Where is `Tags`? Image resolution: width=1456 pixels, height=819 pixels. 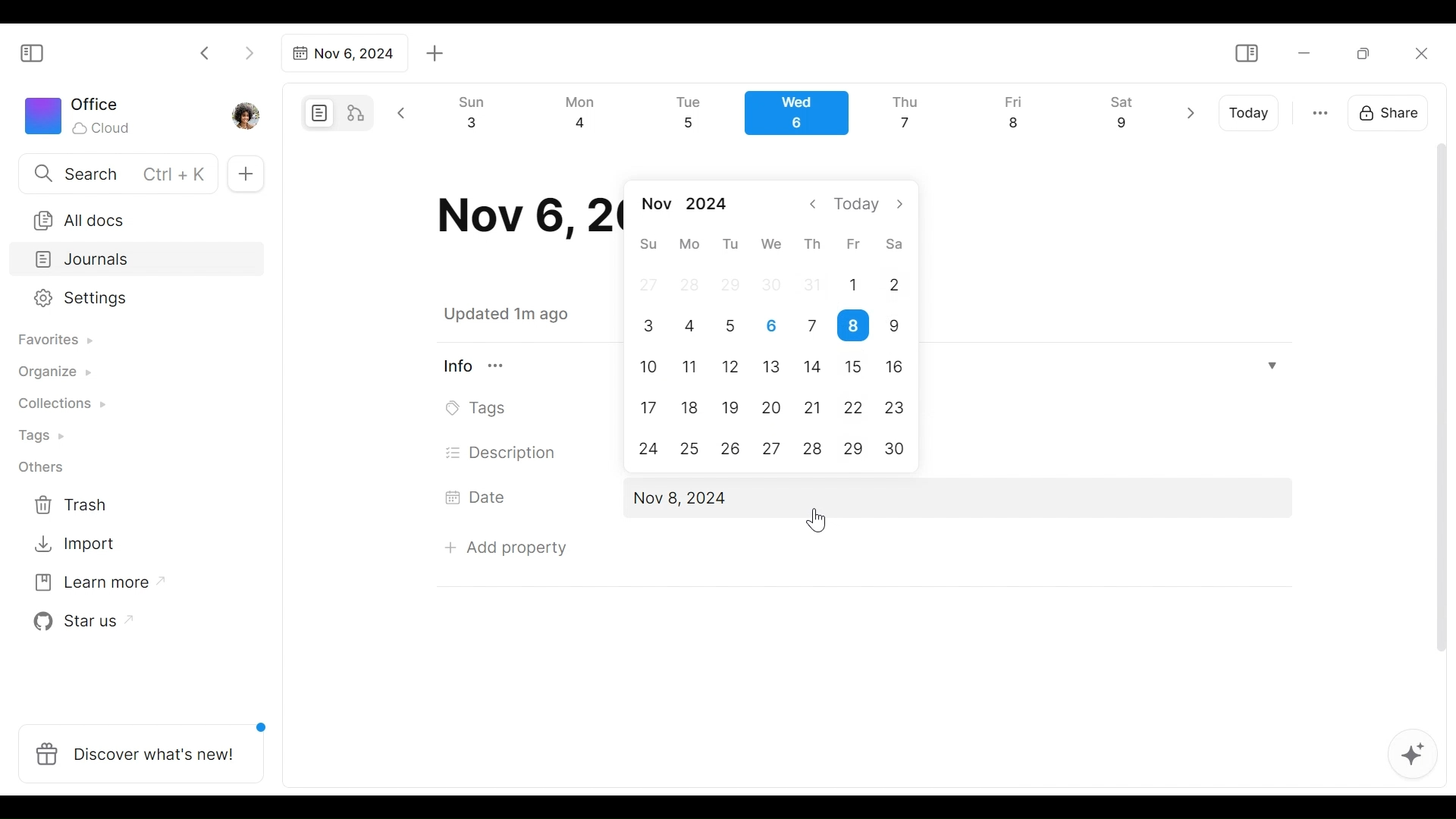 Tags is located at coordinates (480, 409).